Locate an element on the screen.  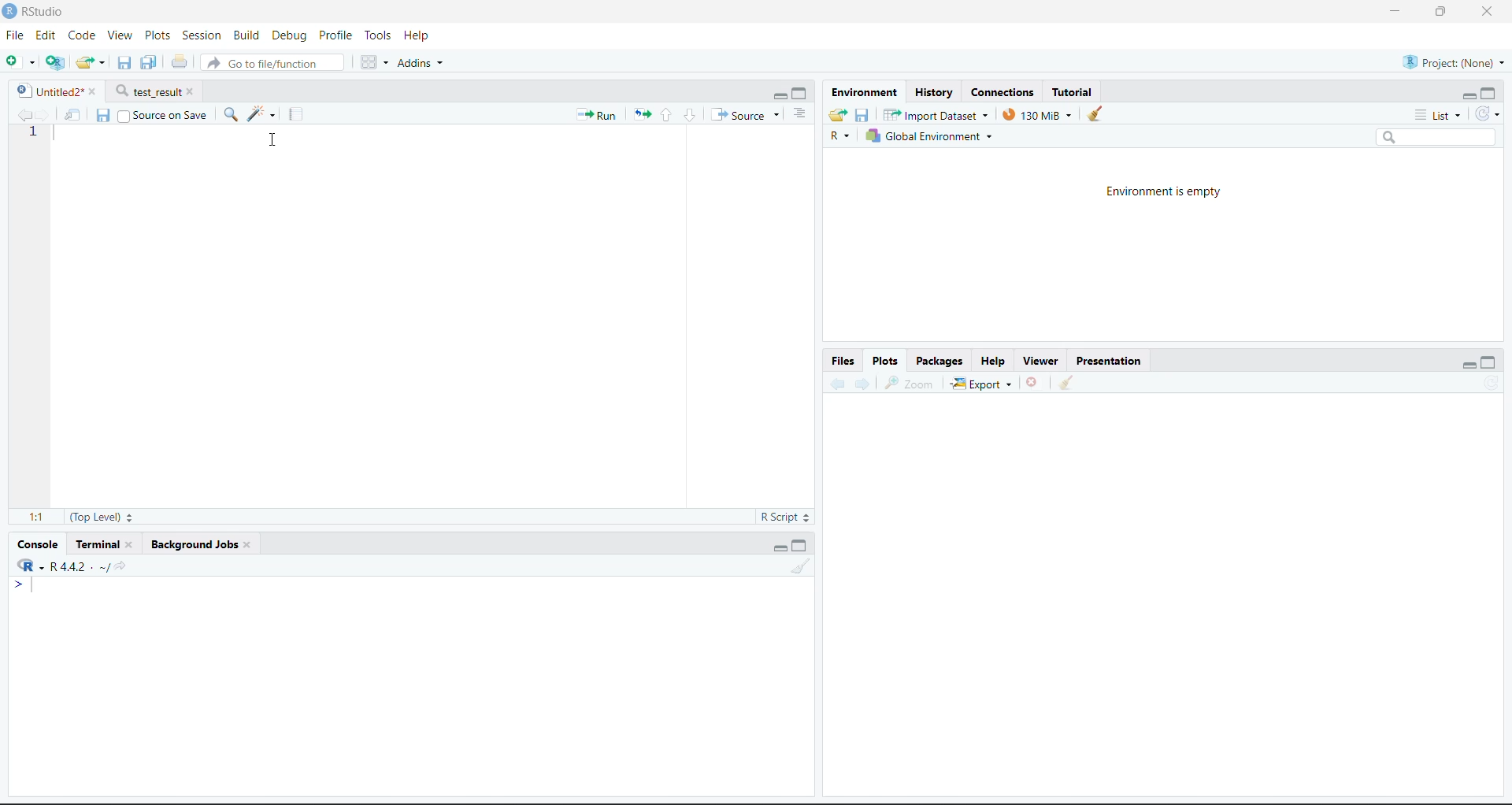
Go forward to the next source location (Ctrl + F10) is located at coordinates (49, 114).